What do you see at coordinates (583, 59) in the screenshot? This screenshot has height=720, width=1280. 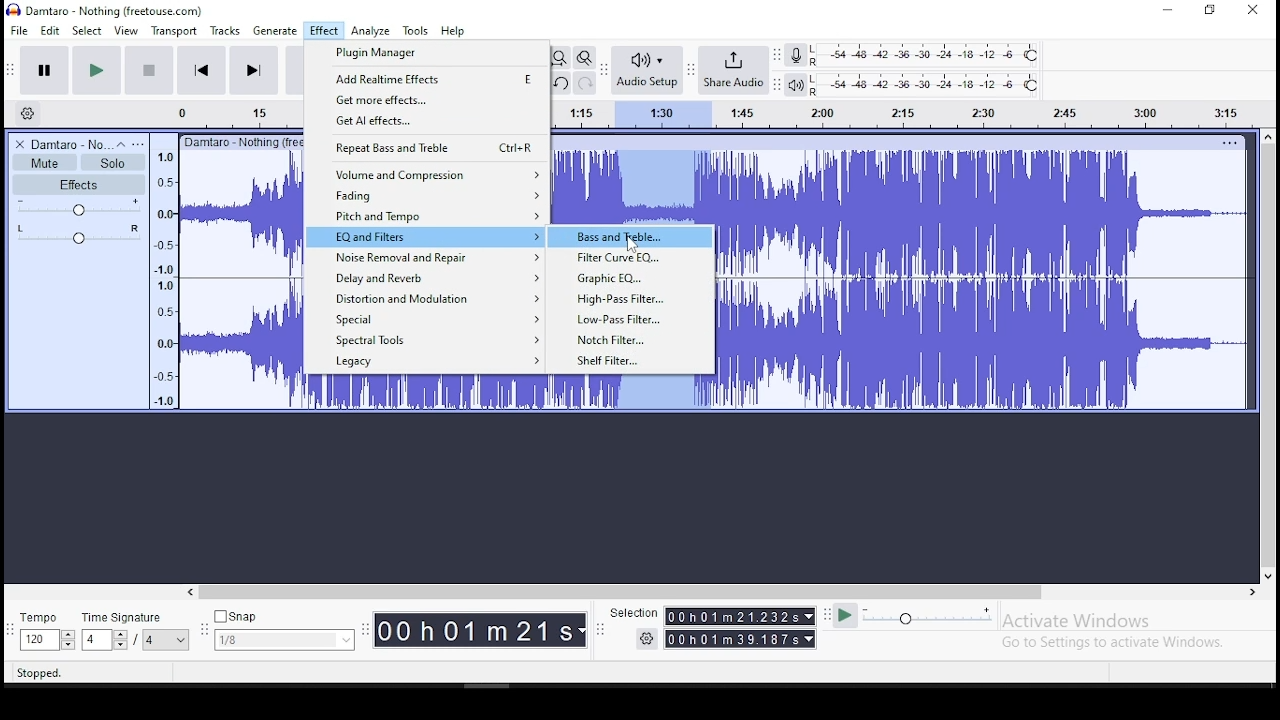 I see `zoom toggle` at bounding box center [583, 59].